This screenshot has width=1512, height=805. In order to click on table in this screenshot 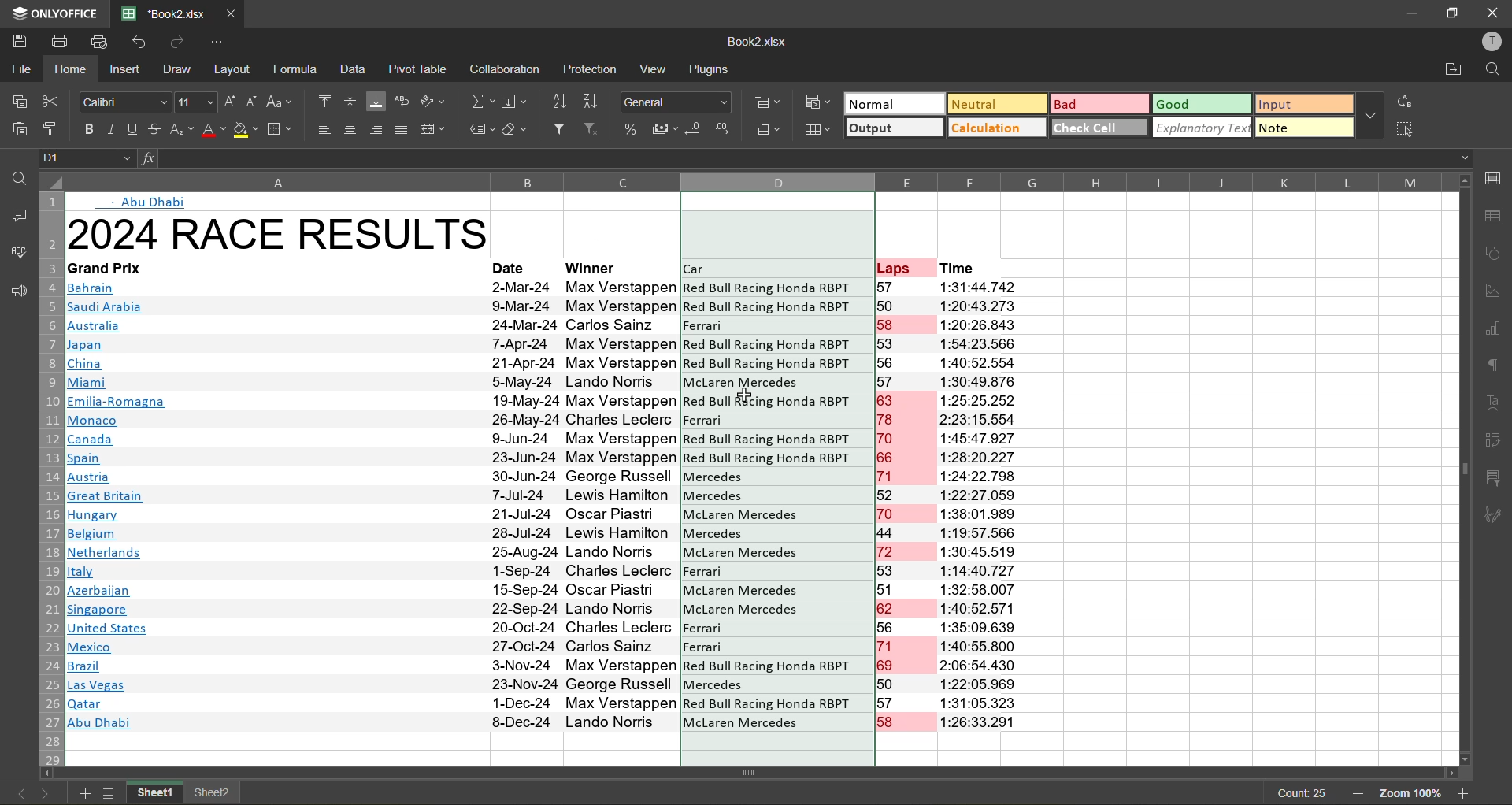, I will do `click(1499, 216)`.